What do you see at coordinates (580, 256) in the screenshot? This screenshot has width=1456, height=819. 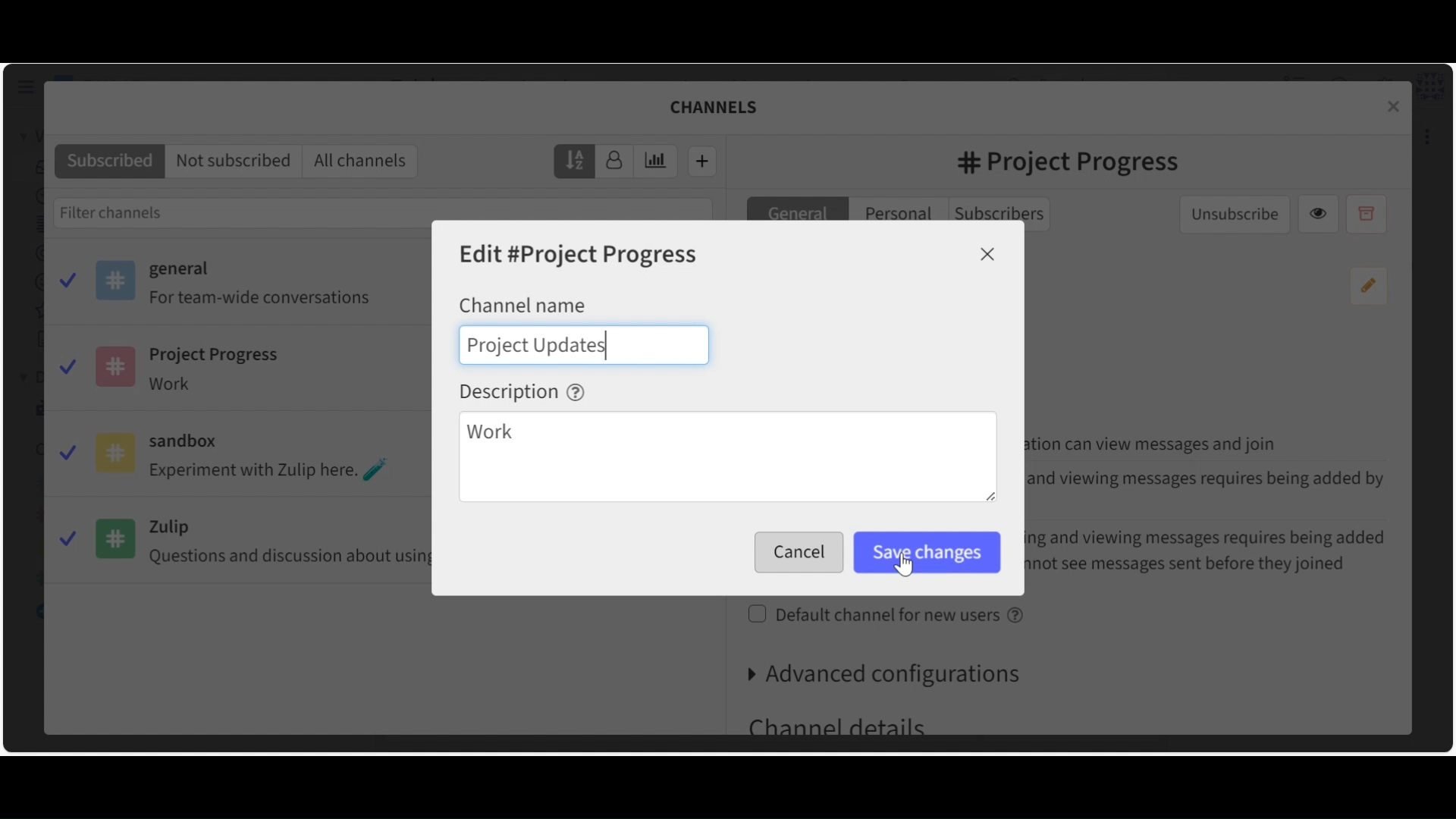 I see `Edit Channel` at bounding box center [580, 256].